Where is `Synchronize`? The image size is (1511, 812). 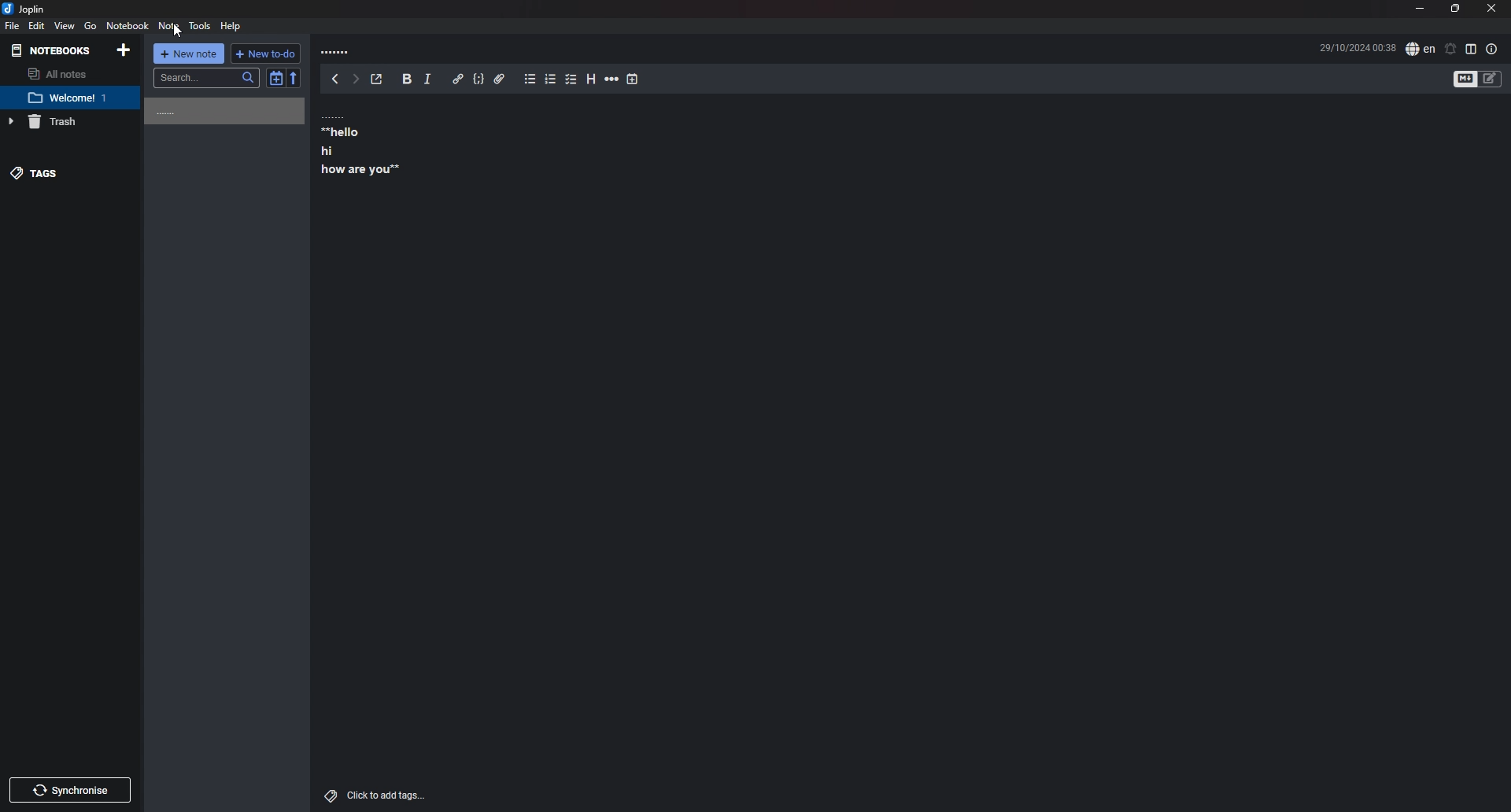 Synchronize is located at coordinates (72, 788).